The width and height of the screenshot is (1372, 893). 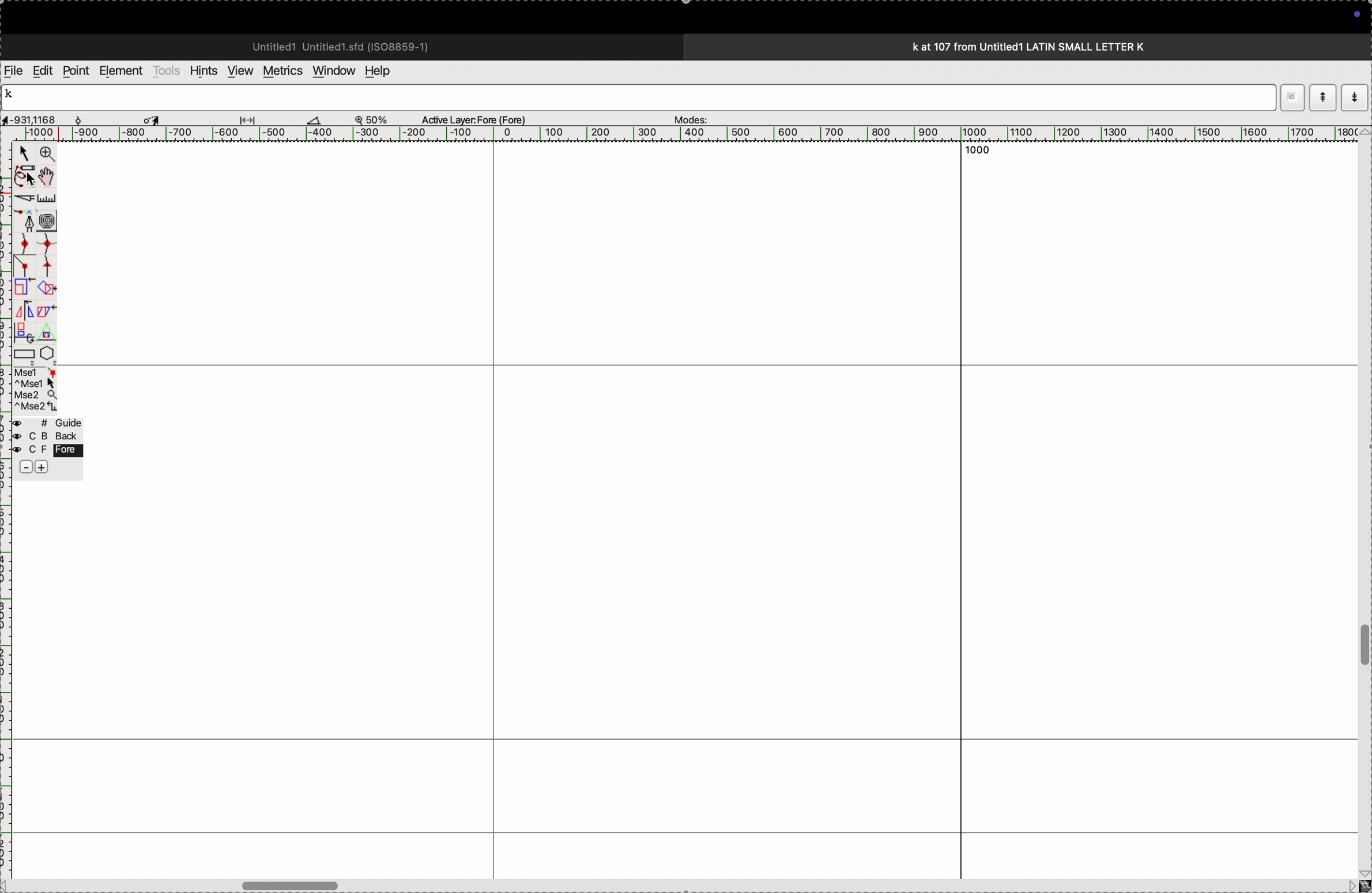 What do you see at coordinates (14, 71) in the screenshot?
I see `file` at bounding box center [14, 71].